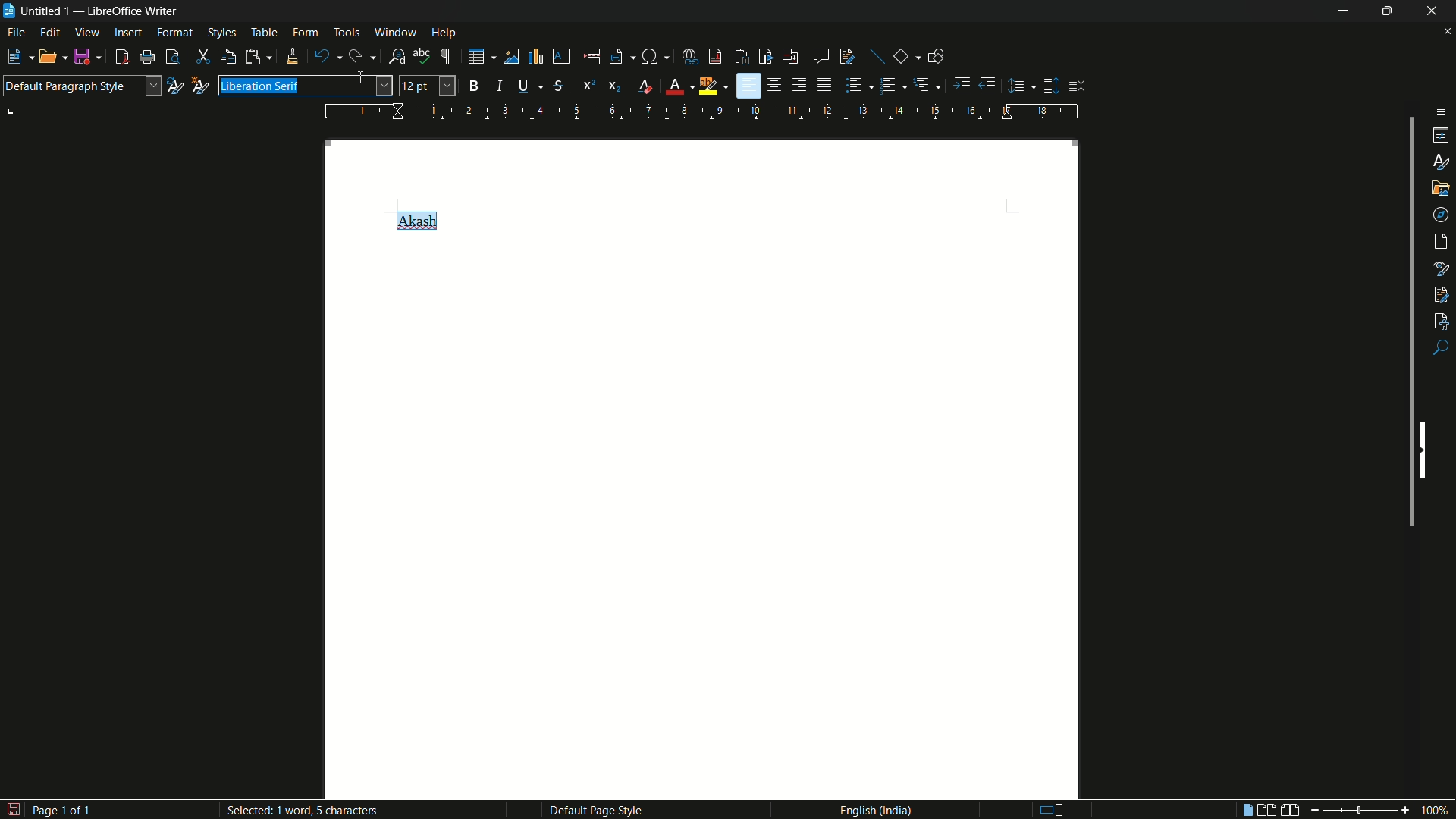 This screenshot has height=819, width=1456. Describe the element at coordinates (964, 85) in the screenshot. I see `increase indentation` at that location.